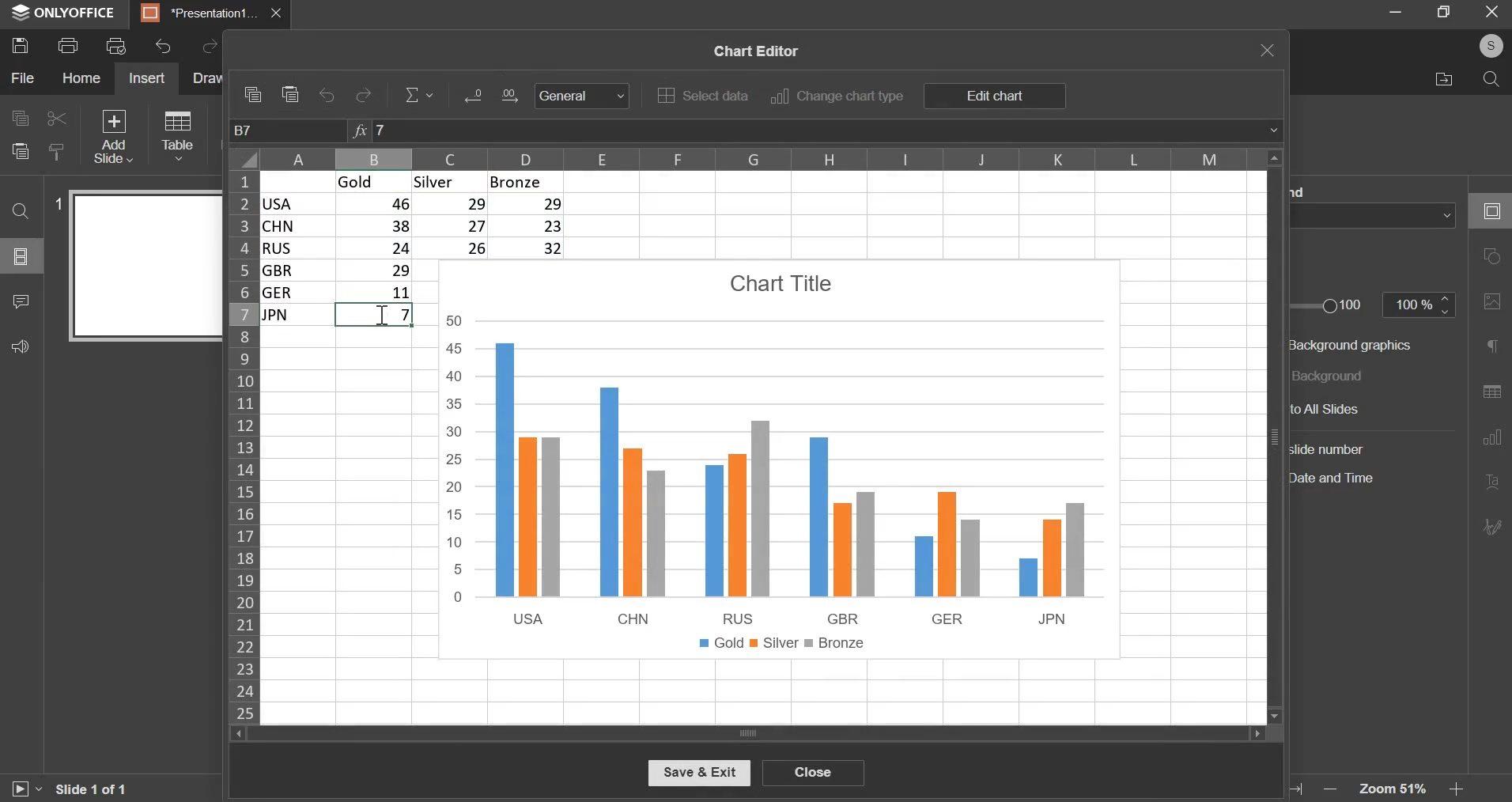  Describe the element at coordinates (176, 134) in the screenshot. I see `table` at that location.